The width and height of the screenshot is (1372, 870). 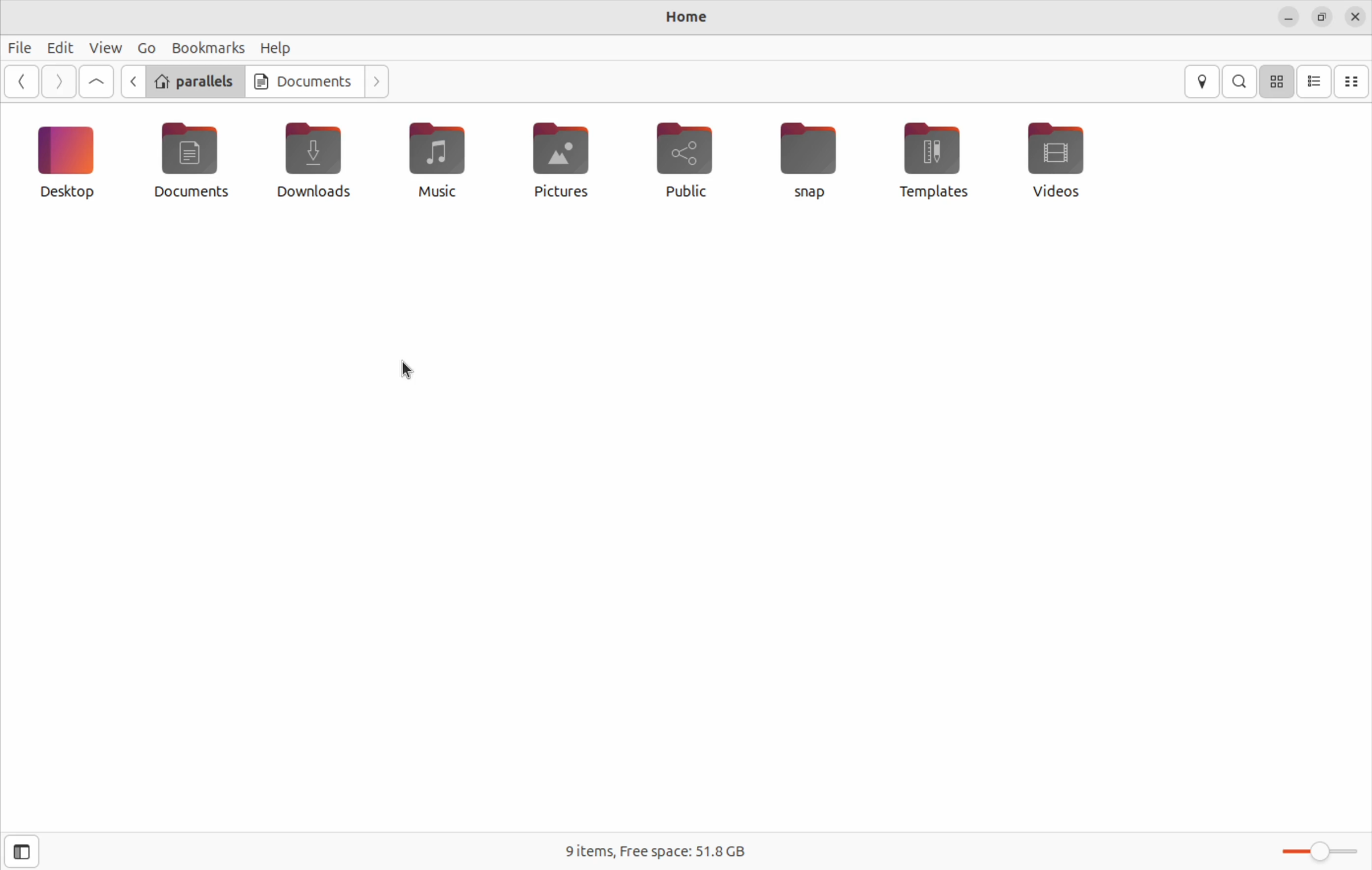 What do you see at coordinates (21, 47) in the screenshot?
I see `file` at bounding box center [21, 47].